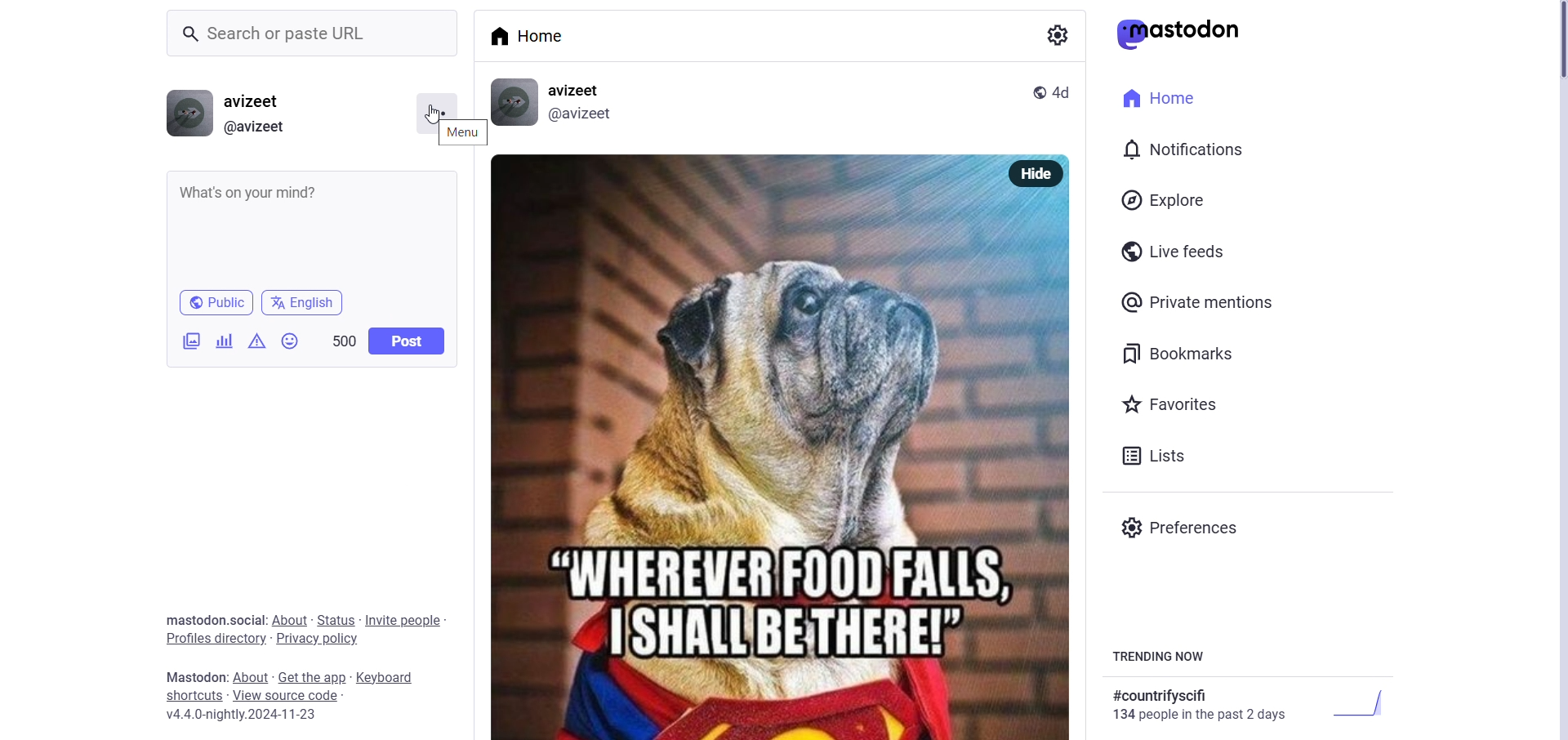 Image resolution: width=1568 pixels, height=740 pixels. What do you see at coordinates (780, 463) in the screenshot?
I see `post` at bounding box center [780, 463].